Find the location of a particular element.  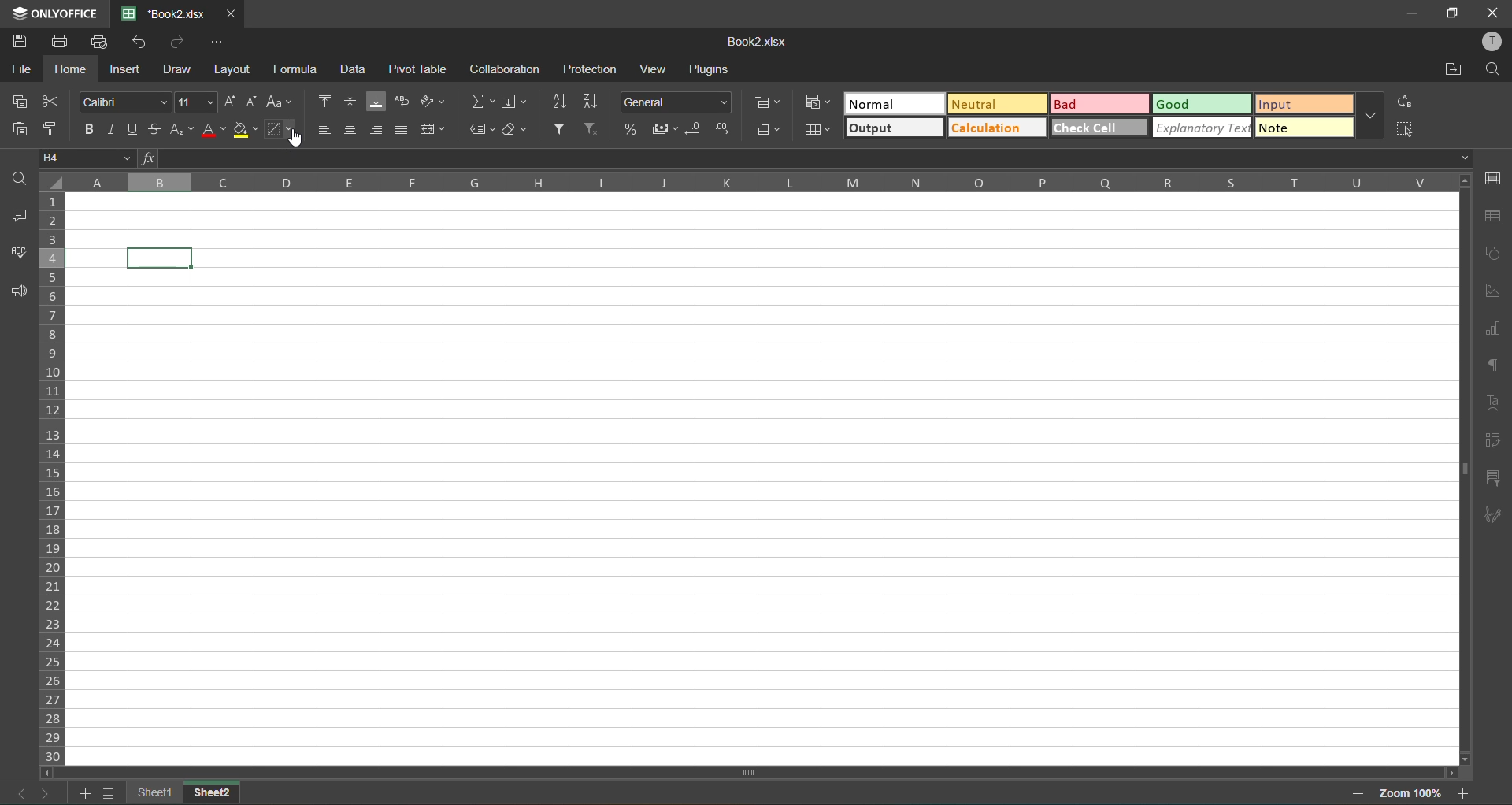

formula is located at coordinates (298, 71).